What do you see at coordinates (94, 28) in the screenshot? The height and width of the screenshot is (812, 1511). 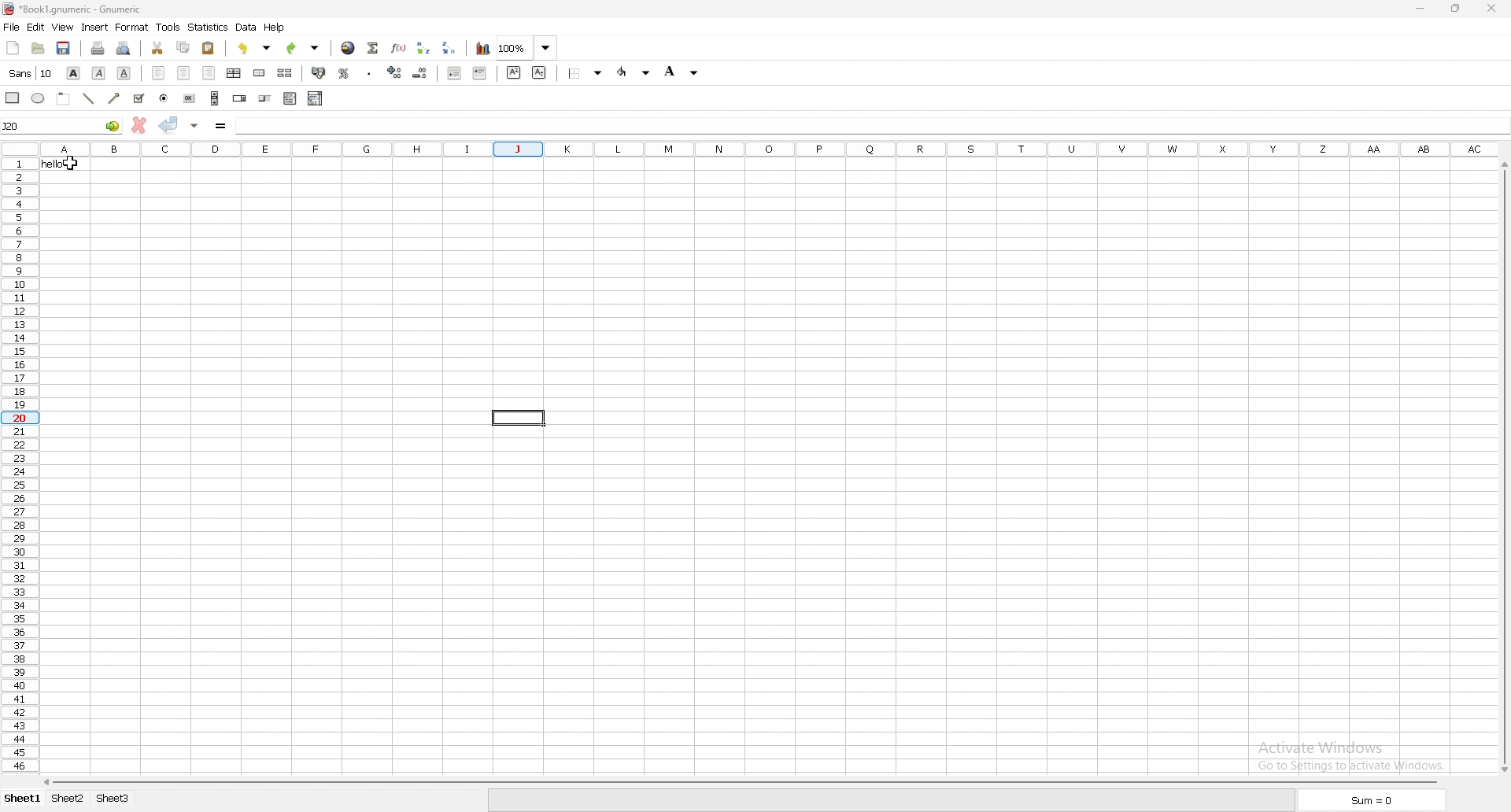 I see `insert` at bounding box center [94, 28].